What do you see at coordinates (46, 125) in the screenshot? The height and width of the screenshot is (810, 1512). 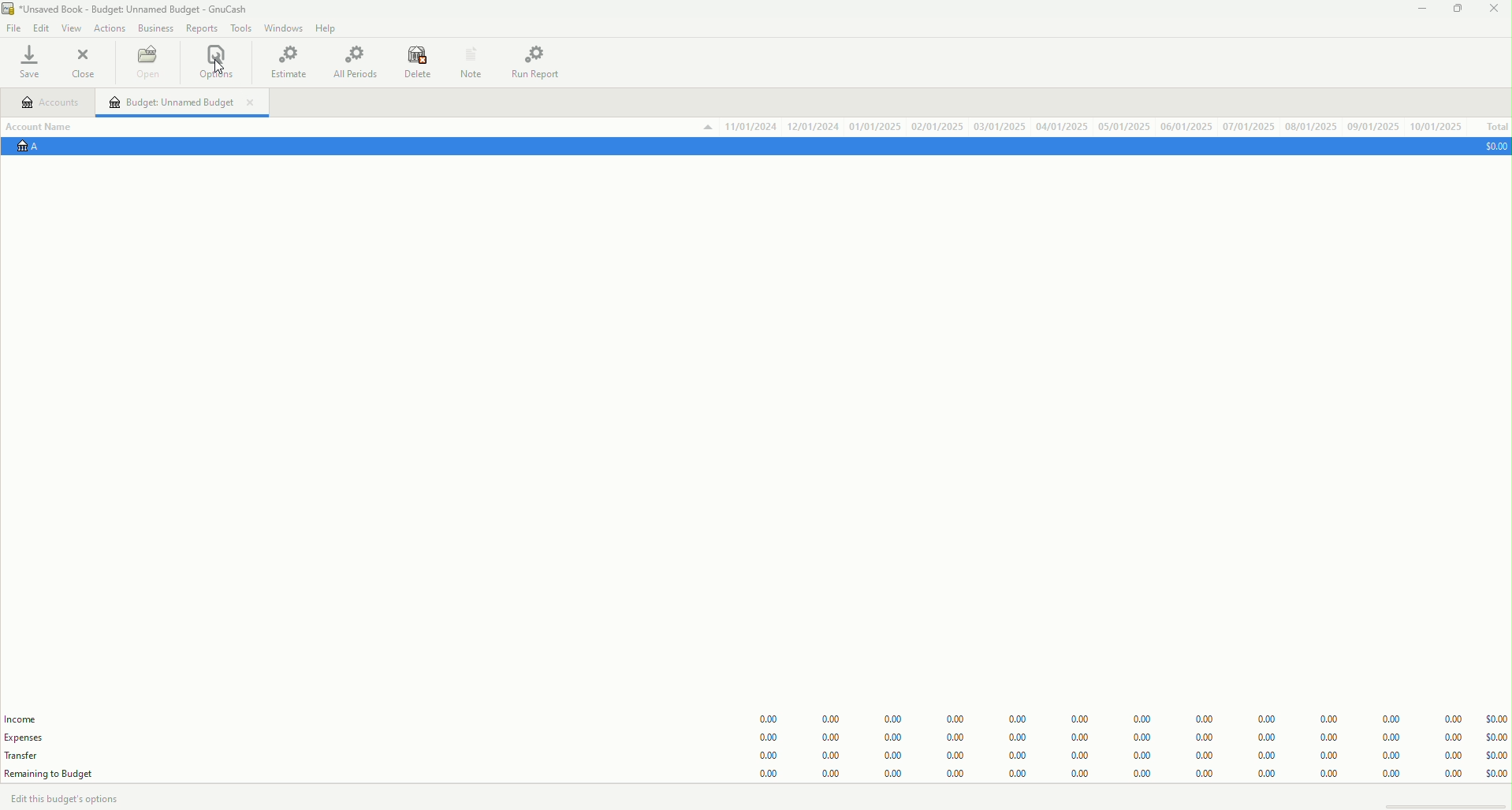 I see `Account Name` at bounding box center [46, 125].